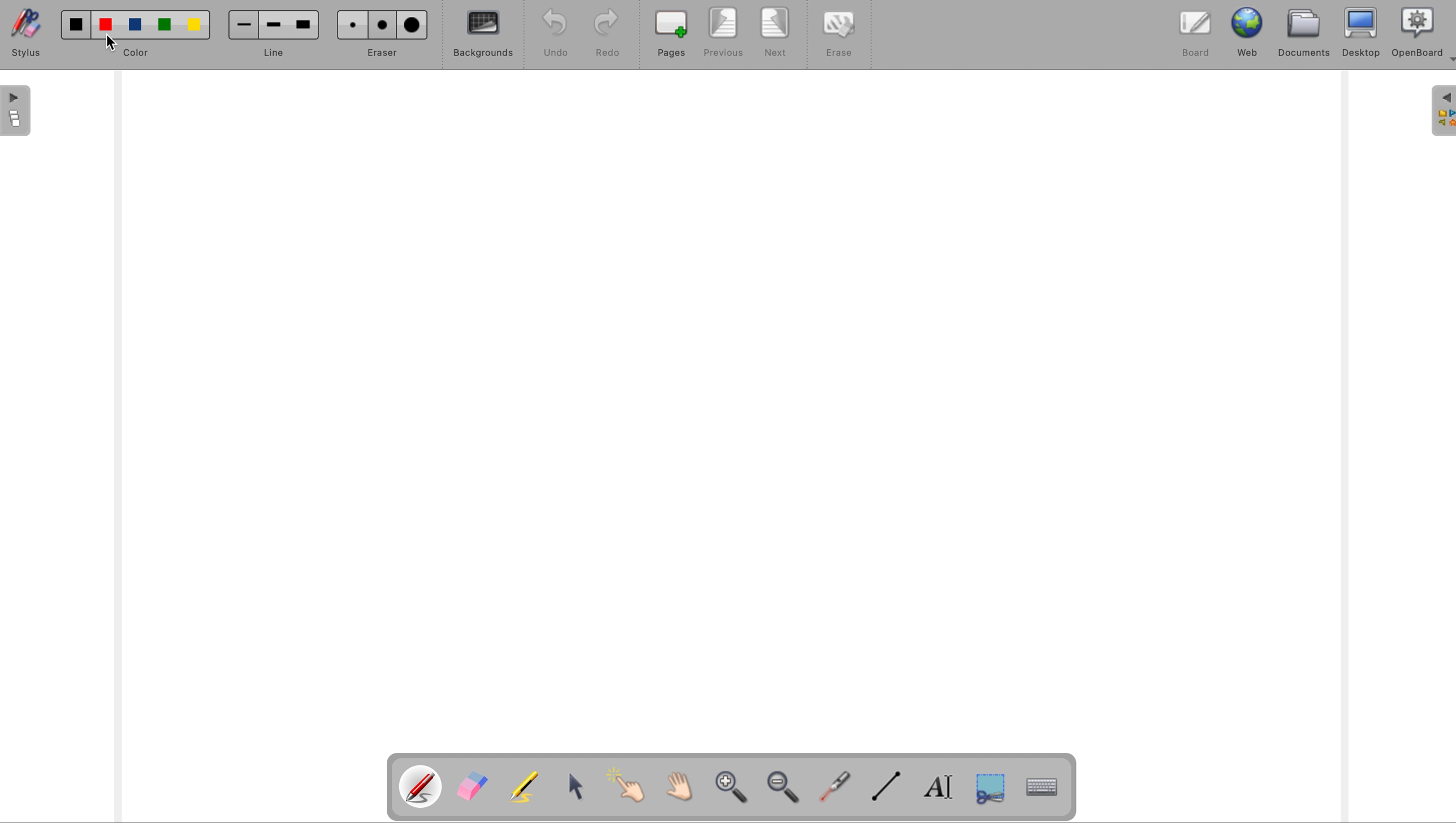 This screenshot has height=823, width=1456. I want to click on next, so click(775, 33).